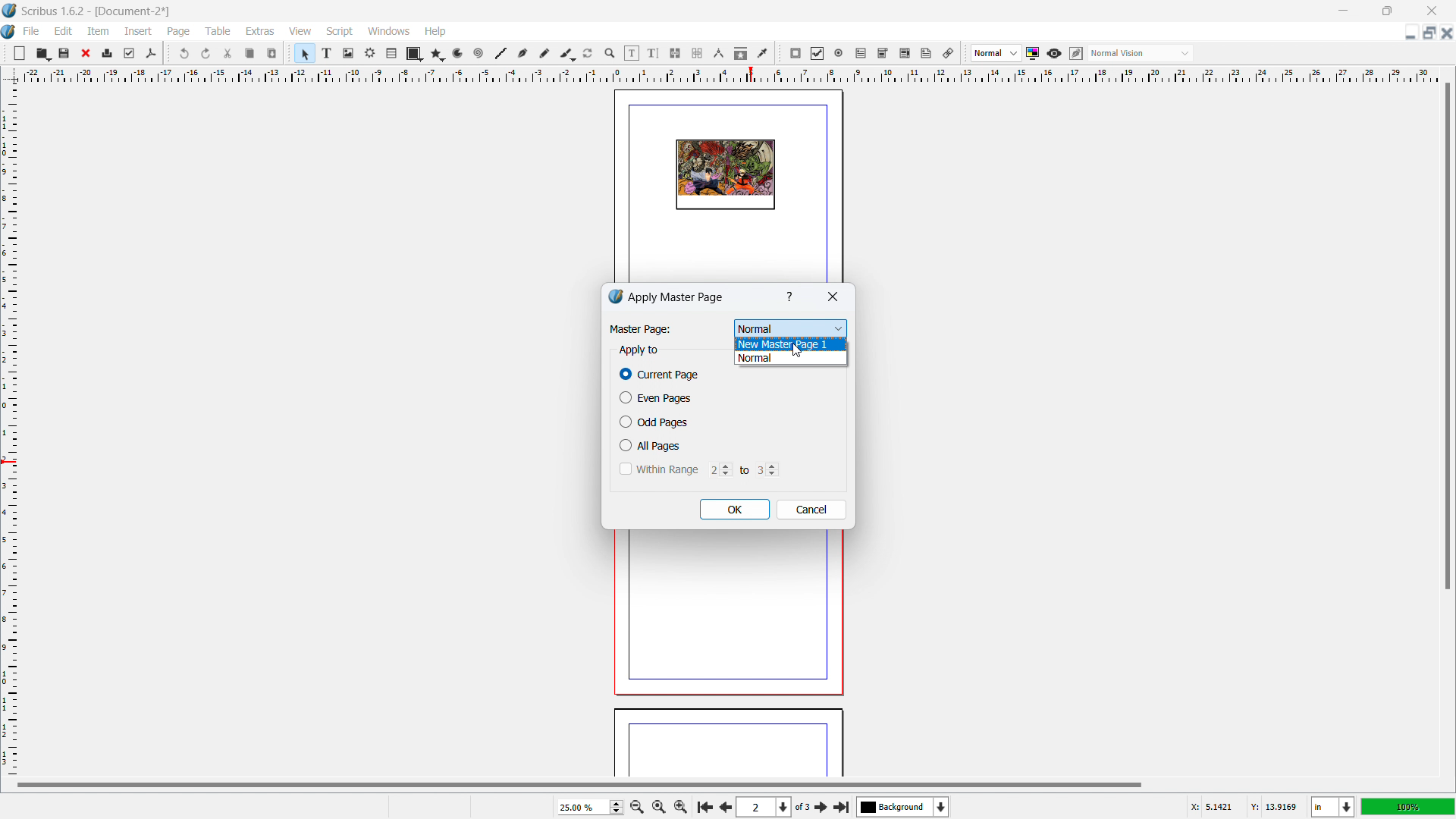 The height and width of the screenshot is (819, 1456). Describe the element at coordinates (1427, 33) in the screenshot. I see `maximize document` at that location.